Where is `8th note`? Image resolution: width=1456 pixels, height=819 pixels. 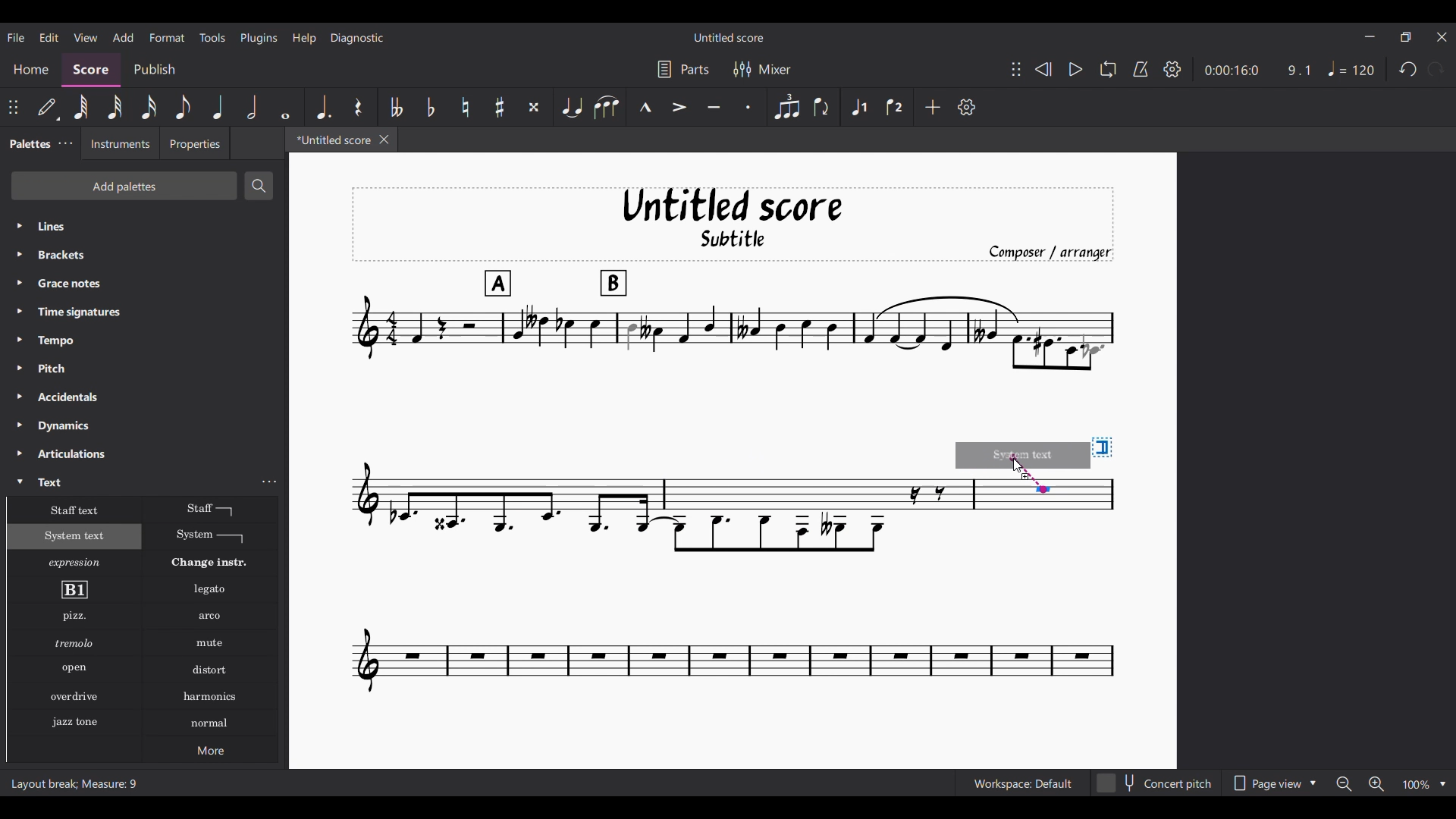
8th note is located at coordinates (183, 107).